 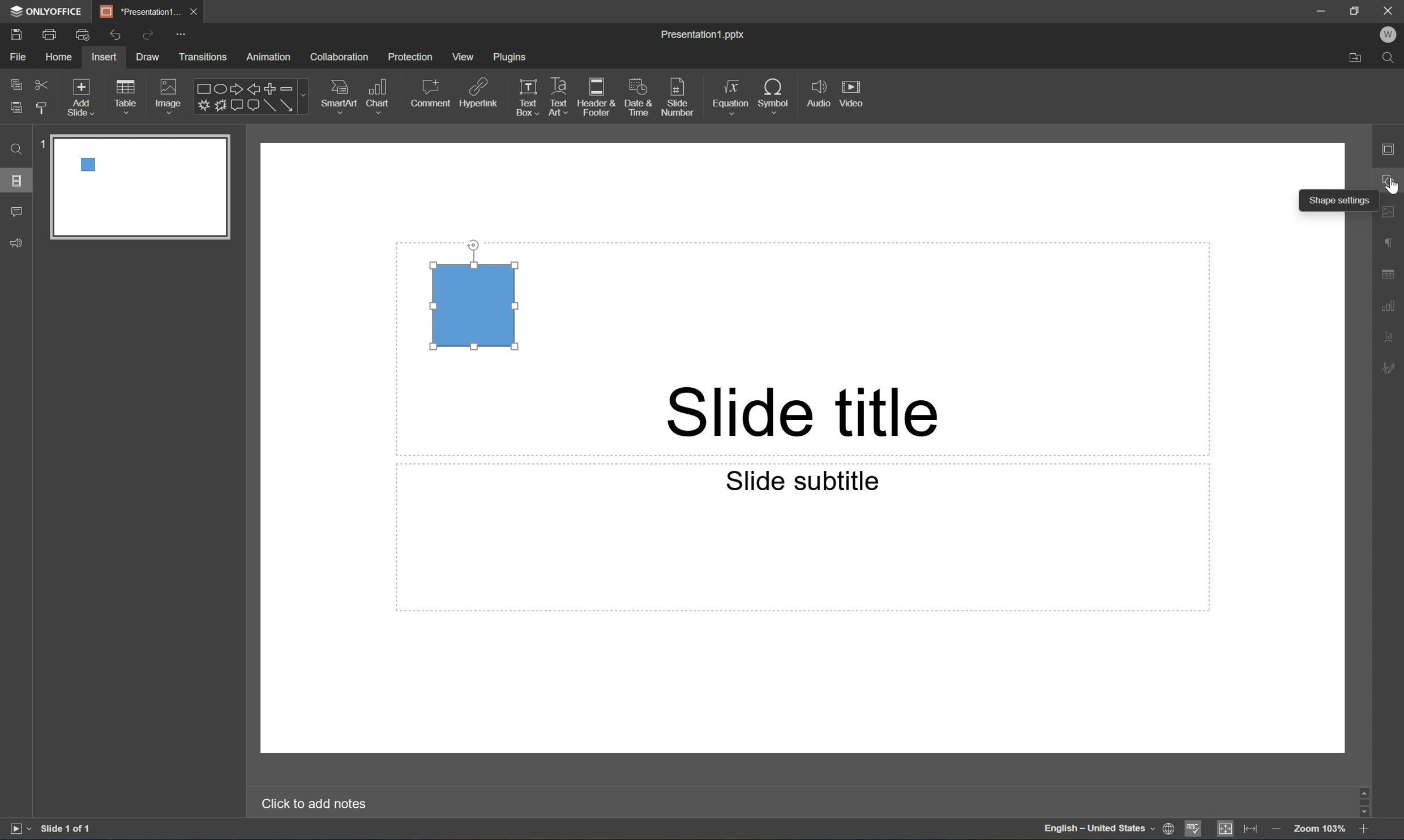 What do you see at coordinates (1364, 812) in the screenshot?
I see `Scroll Down` at bounding box center [1364, 812].